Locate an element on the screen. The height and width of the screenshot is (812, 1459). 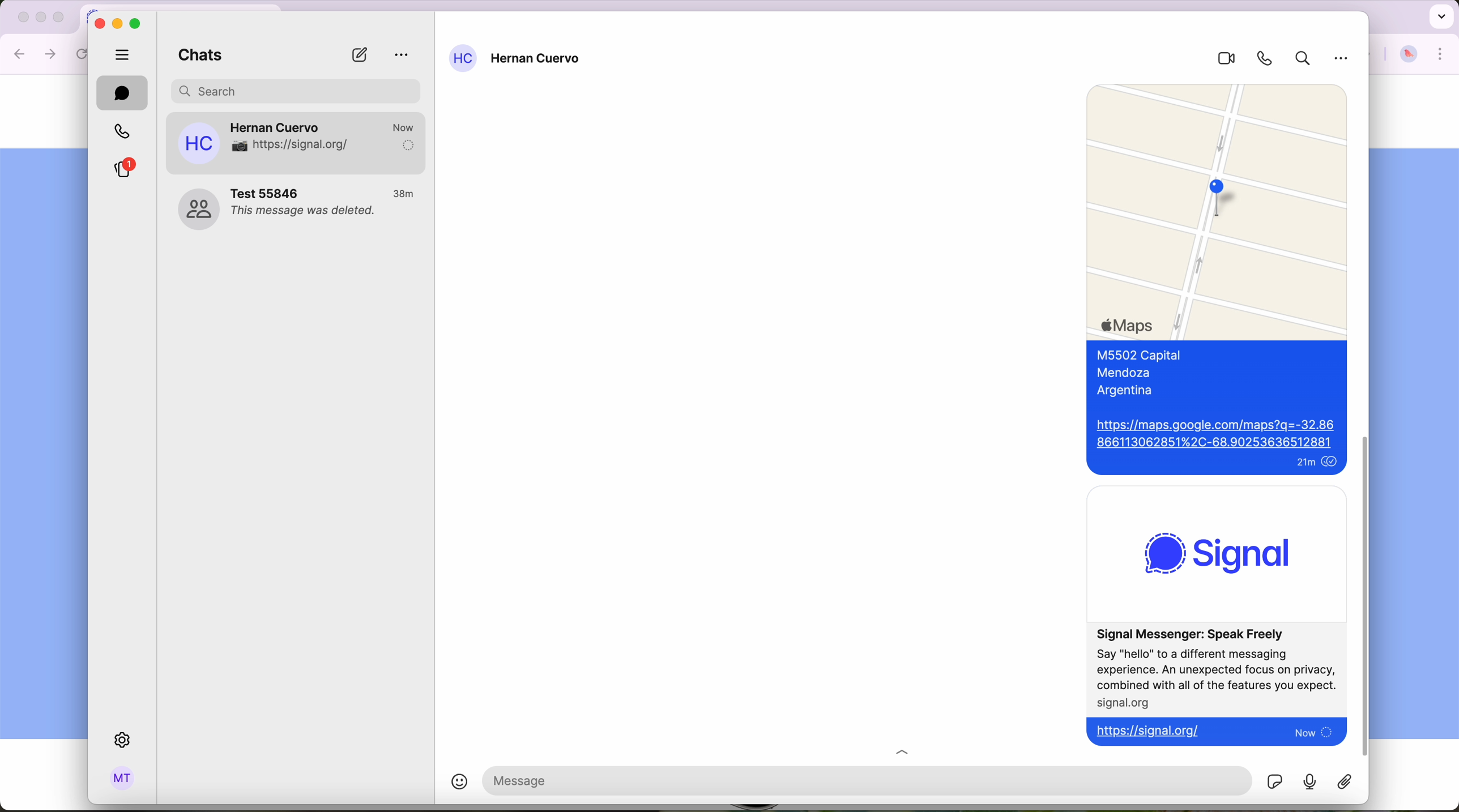
https://maps.google.com/maps?q=-32.86 is located at coordinates (1216, 433).